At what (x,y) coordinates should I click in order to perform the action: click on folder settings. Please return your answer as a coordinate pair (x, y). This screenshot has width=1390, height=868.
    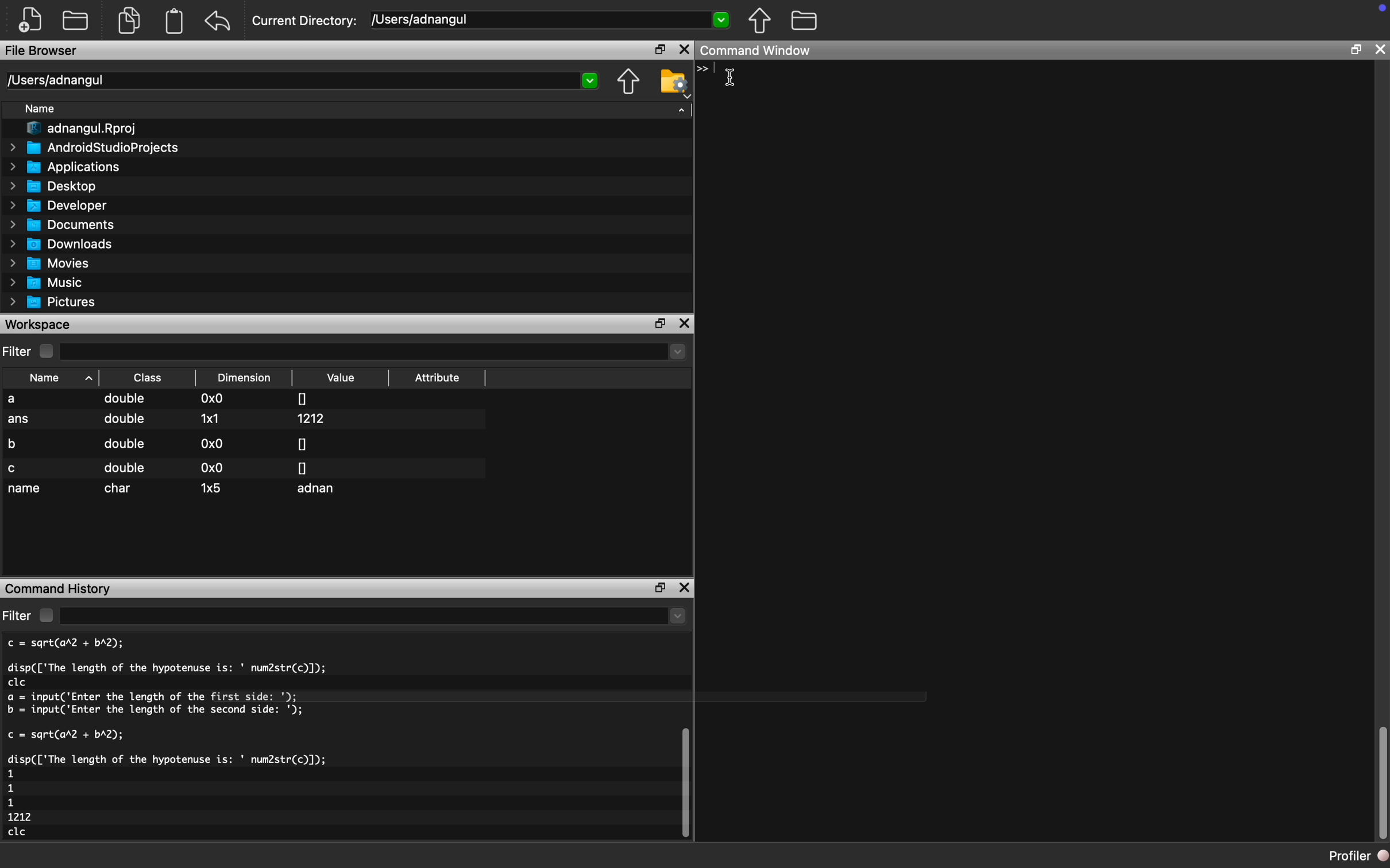
    Looking at the image, I should click on (674, 82).